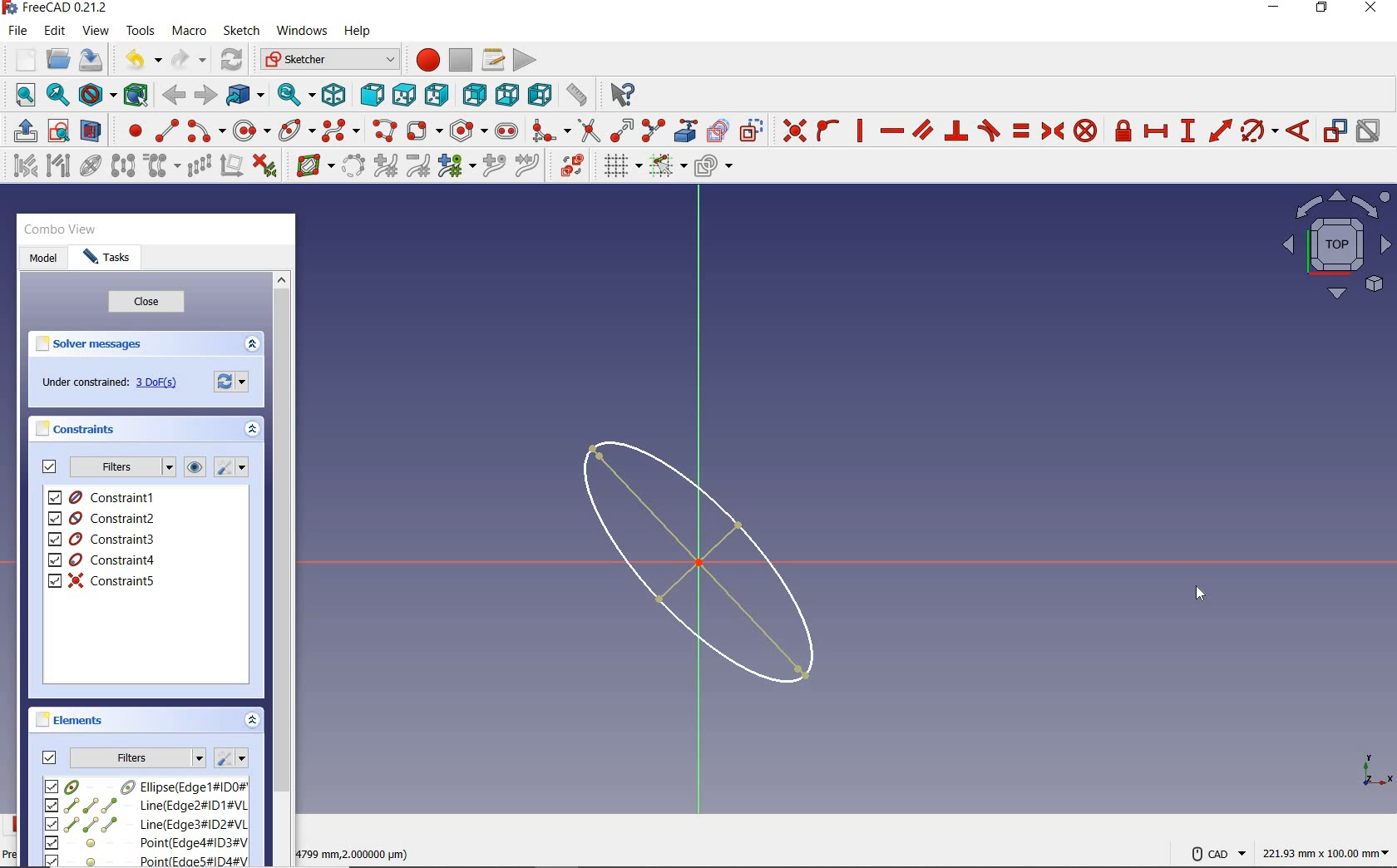 Image resolution: width=1397 pixels, height=868 pixels. What do you see at coordinates (102, 560) in the screenshot?
I see `constraint4` at bounding box center [102, 560].